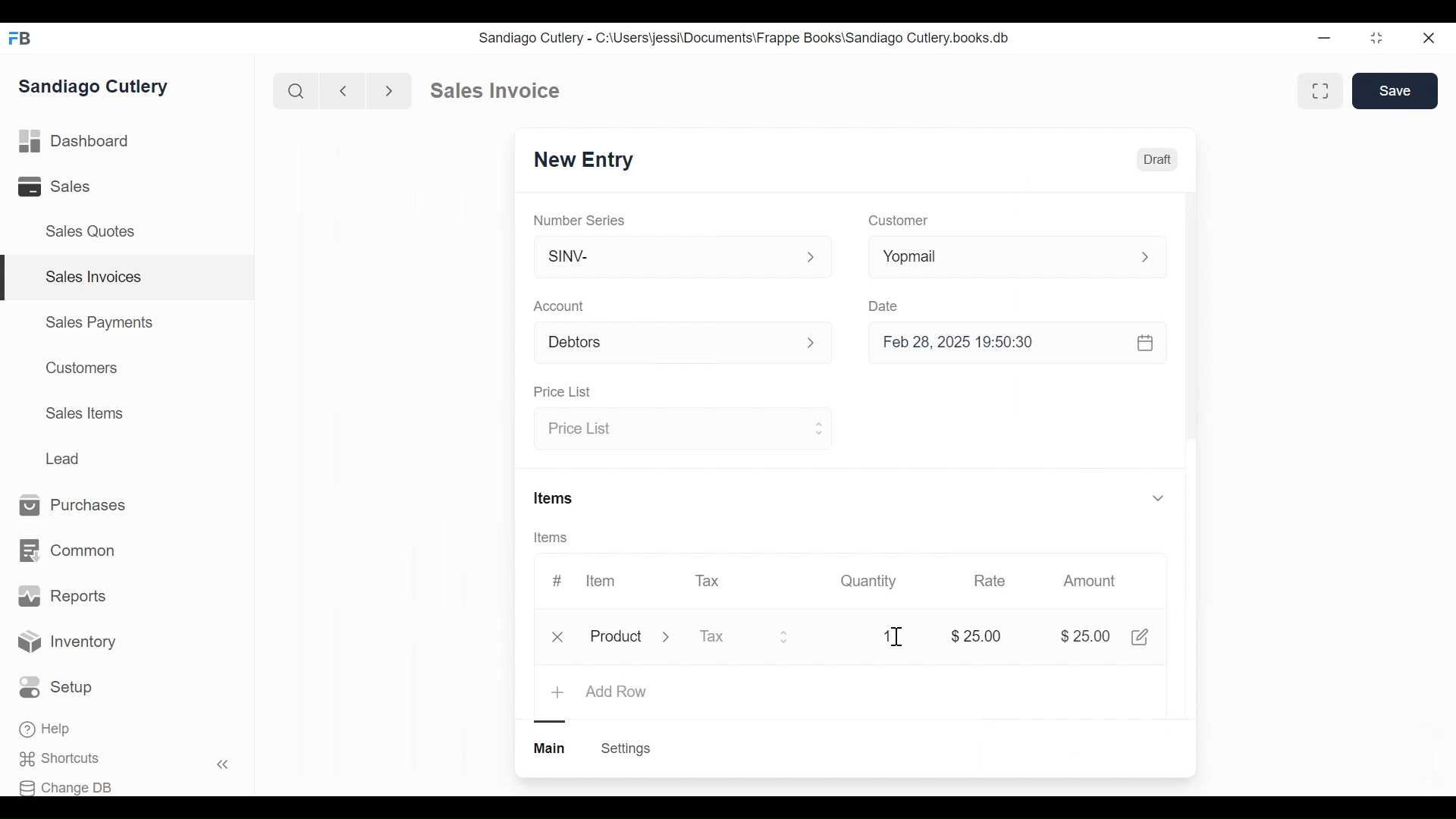  I want to click on restore, so click(1376, 37).